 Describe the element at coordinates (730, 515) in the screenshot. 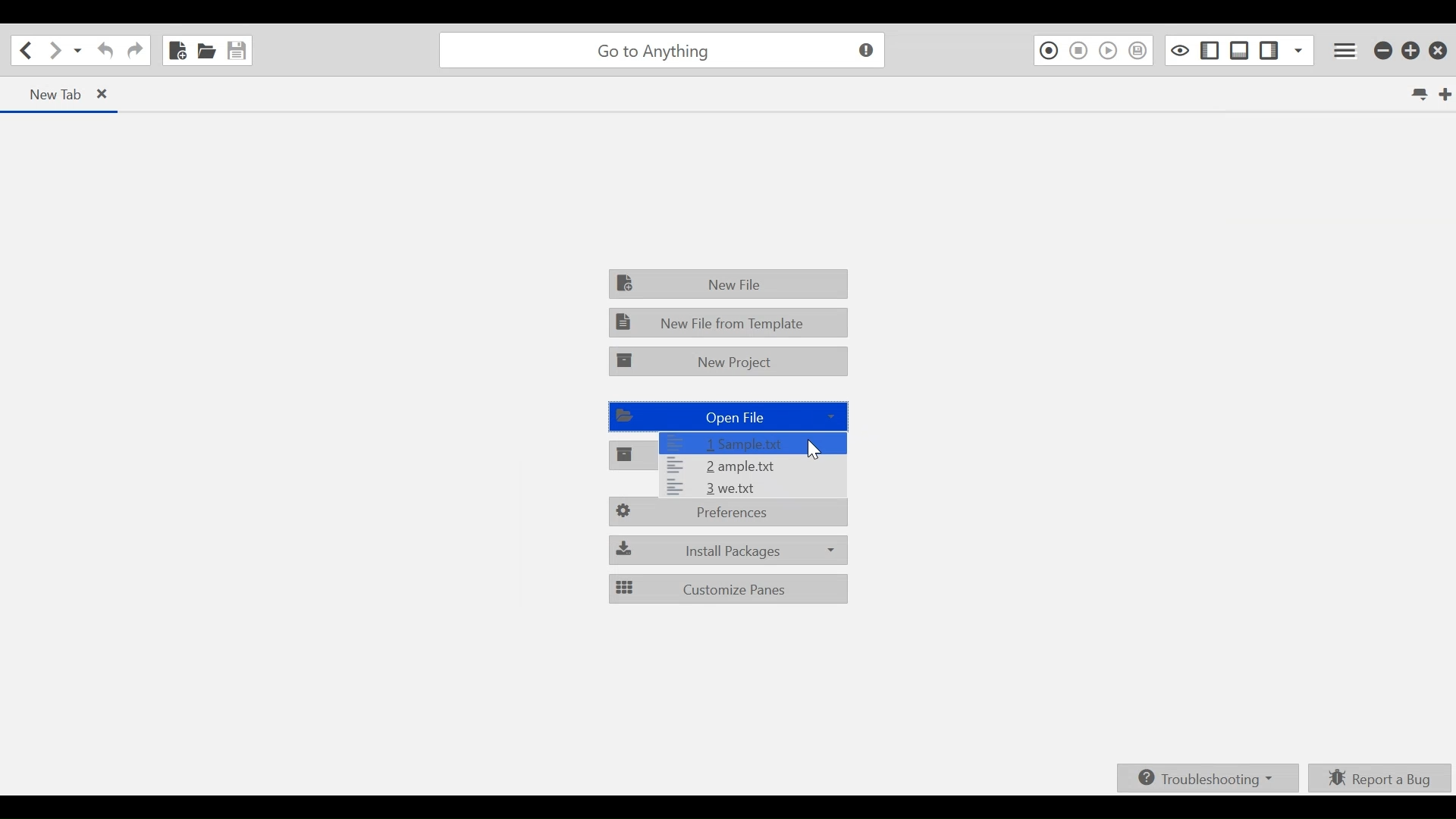

I see `Preferences` at that location.